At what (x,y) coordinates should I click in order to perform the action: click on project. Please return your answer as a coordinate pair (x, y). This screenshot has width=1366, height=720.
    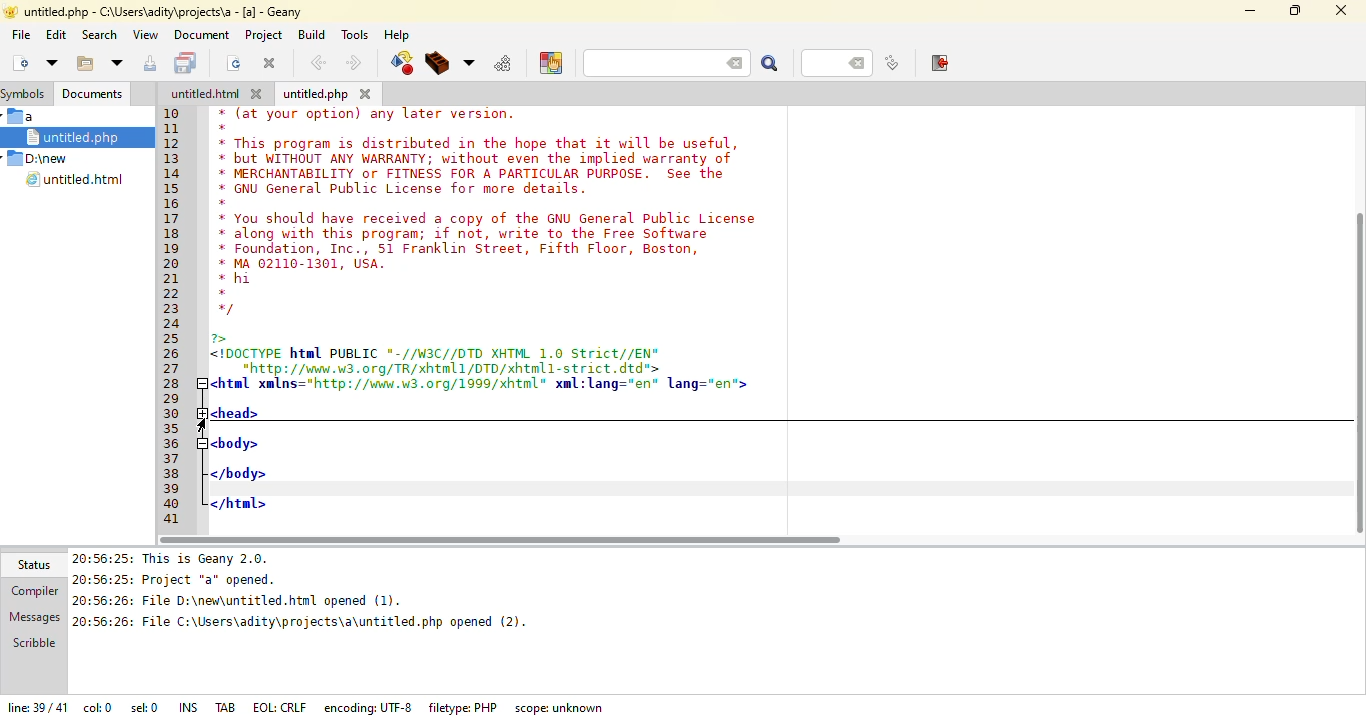
    Looking at the image, I should click on (264, 35).